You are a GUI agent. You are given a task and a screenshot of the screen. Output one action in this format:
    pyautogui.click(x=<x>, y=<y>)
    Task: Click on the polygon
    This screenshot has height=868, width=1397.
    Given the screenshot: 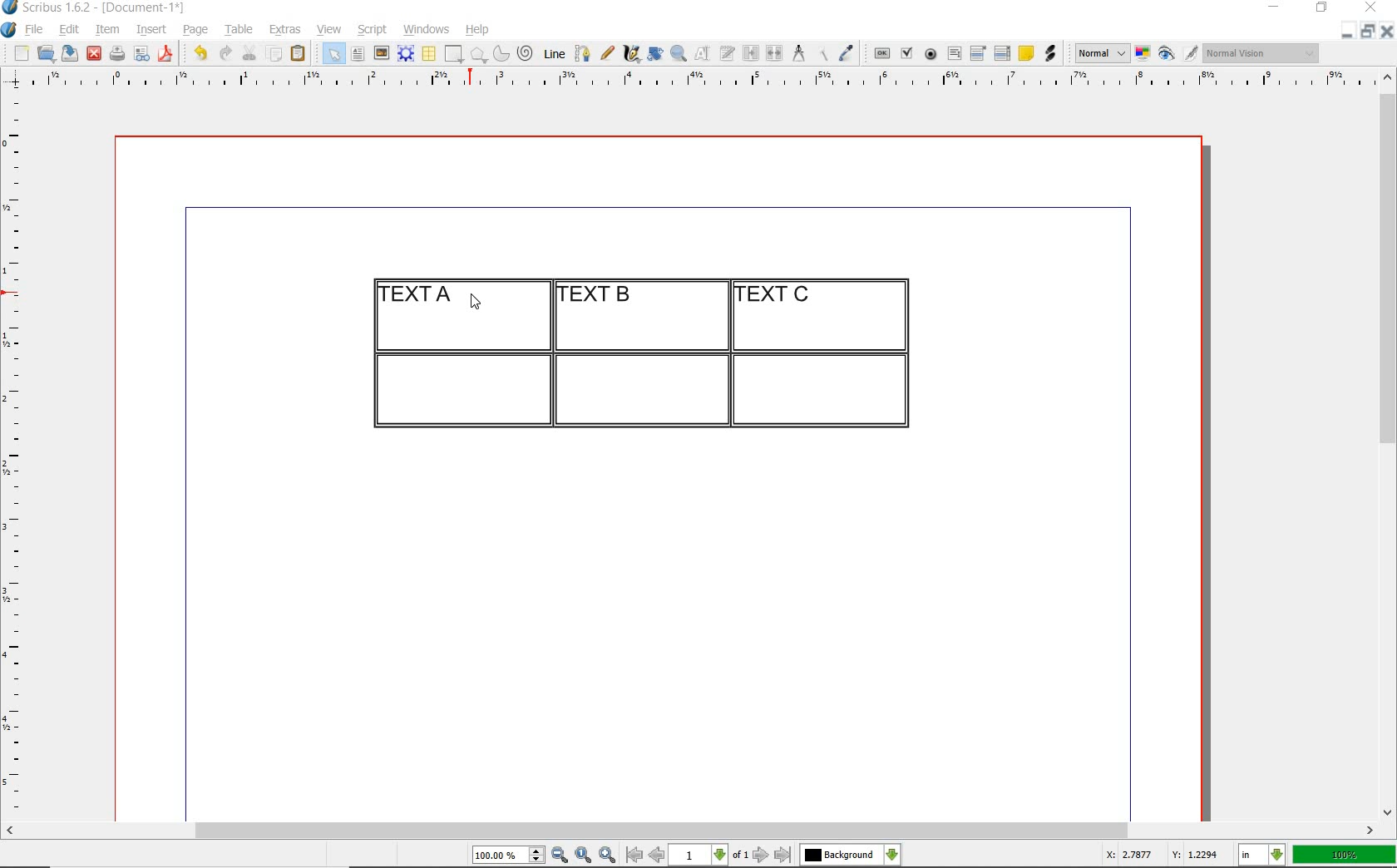 What is the action you would take?
    pyautogui.click(x=478, y=54)
    